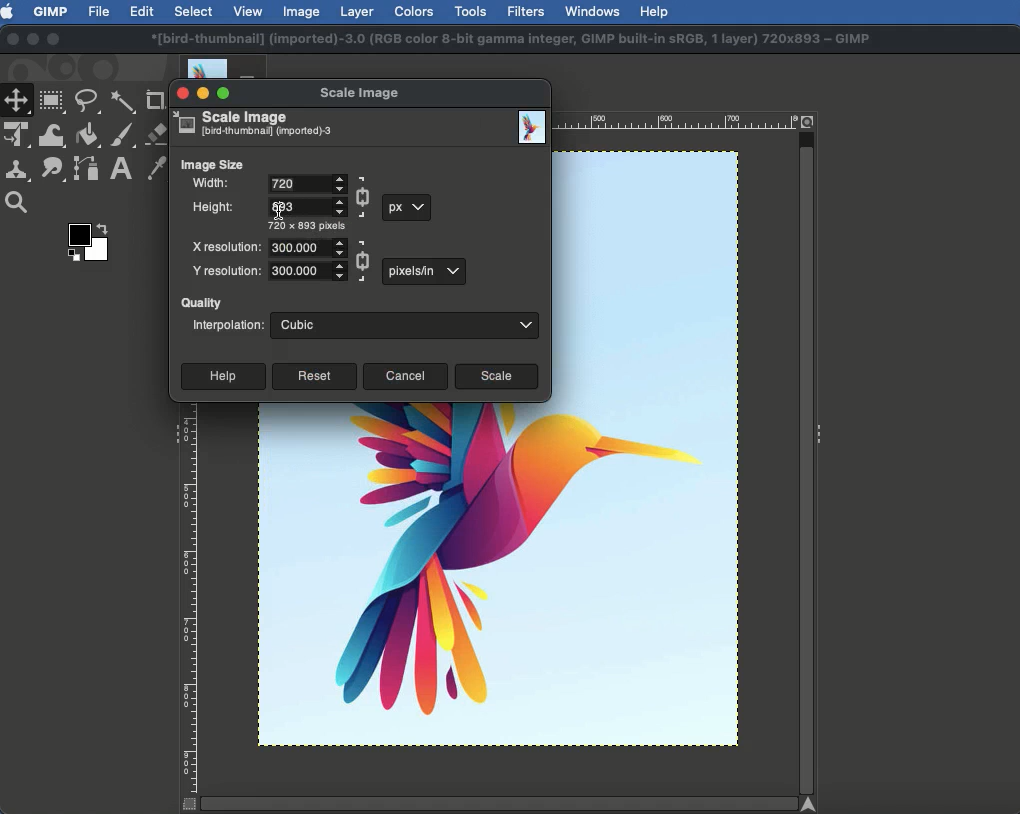 This screenshot has height=814, width=1020. What do you see at coordinates (306, 272) in the screenshot?
I see `Numeral` at bounding box center [306, 272].